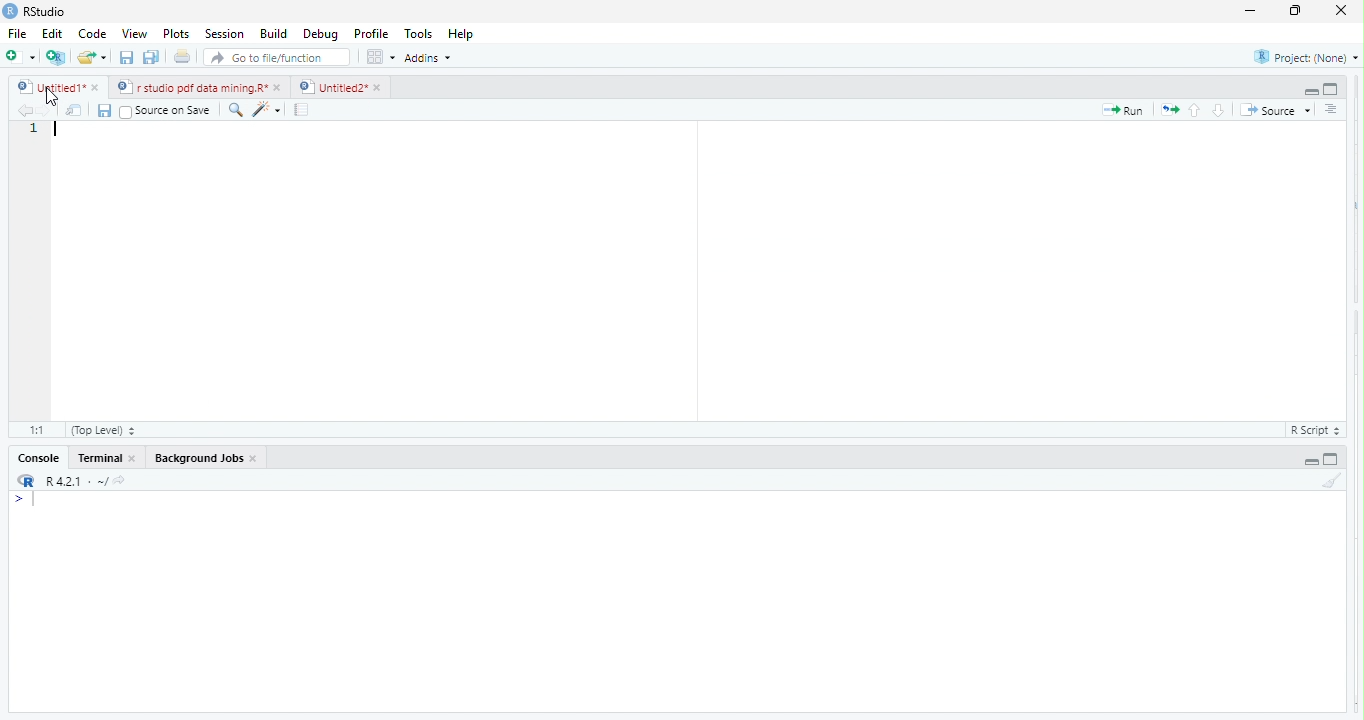 This screenshot has width=1364, height=720. I want to click on R Script , so click(1312, 431).